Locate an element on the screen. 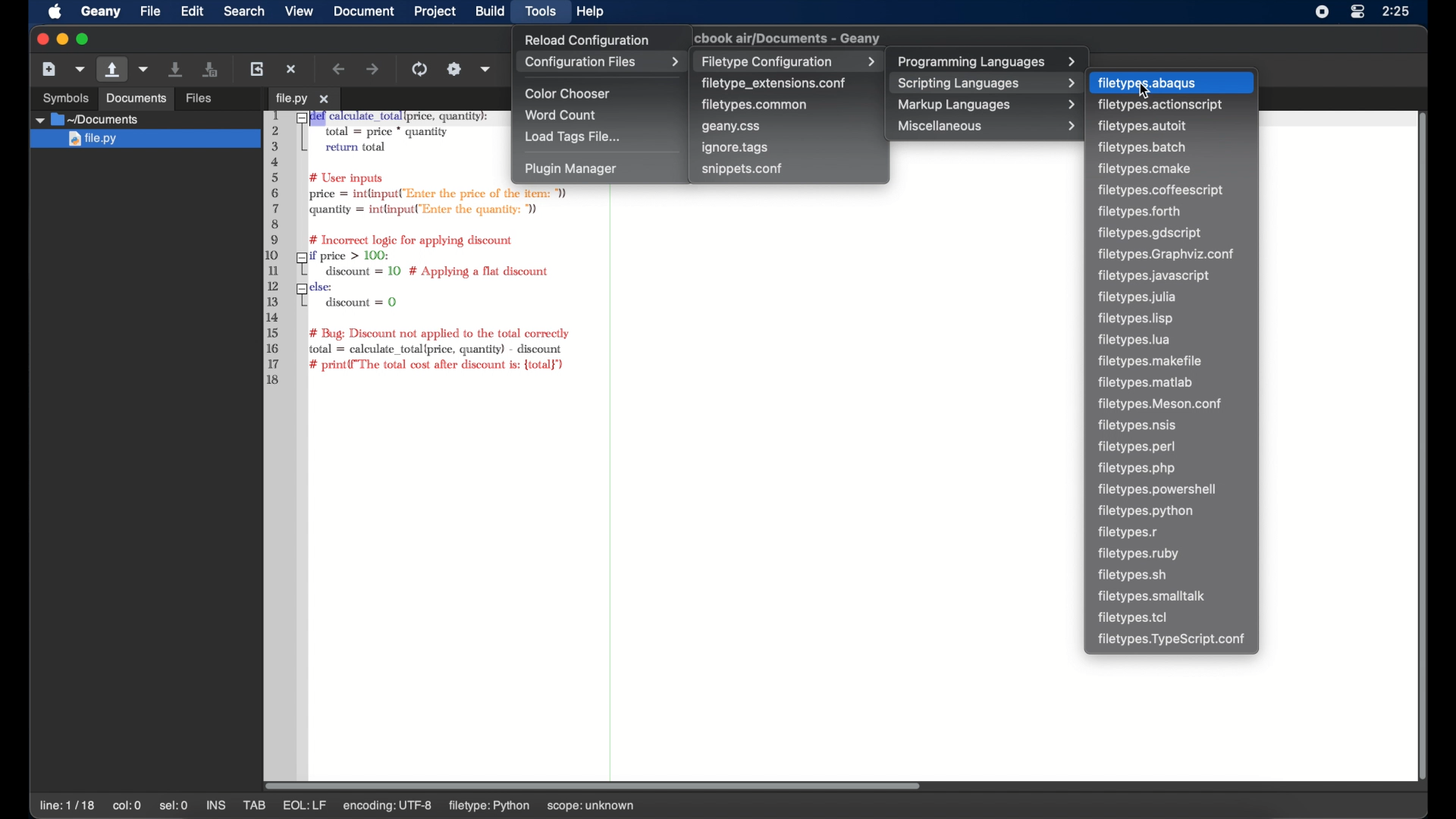 The image size is (1456, 819). filetypes is located at coordinates (1137, 297).